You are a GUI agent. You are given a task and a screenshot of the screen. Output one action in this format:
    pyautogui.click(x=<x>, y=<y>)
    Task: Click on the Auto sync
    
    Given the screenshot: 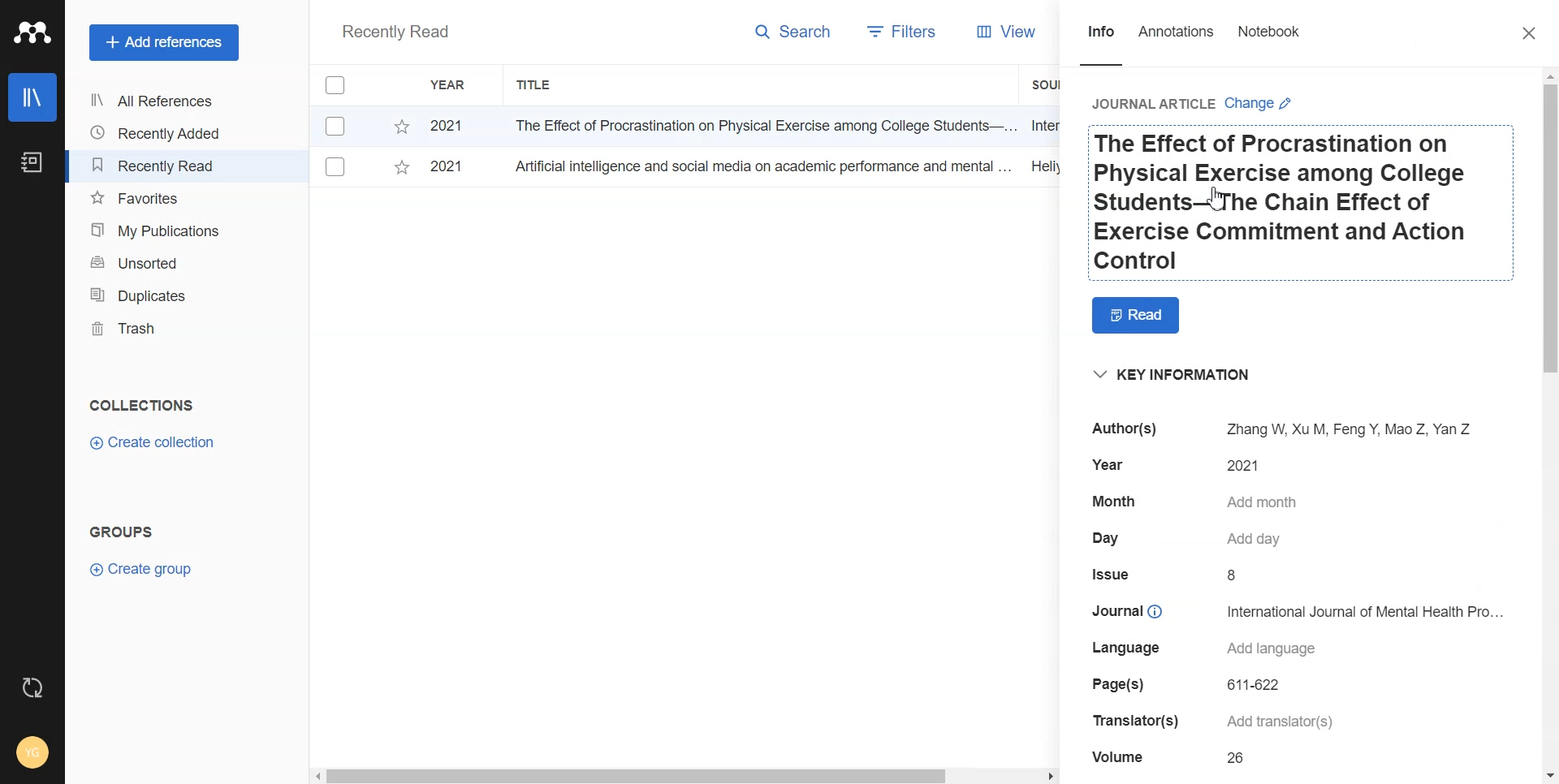 What is the action you would take?
    pyautogui.click(x=30, y=687)
    